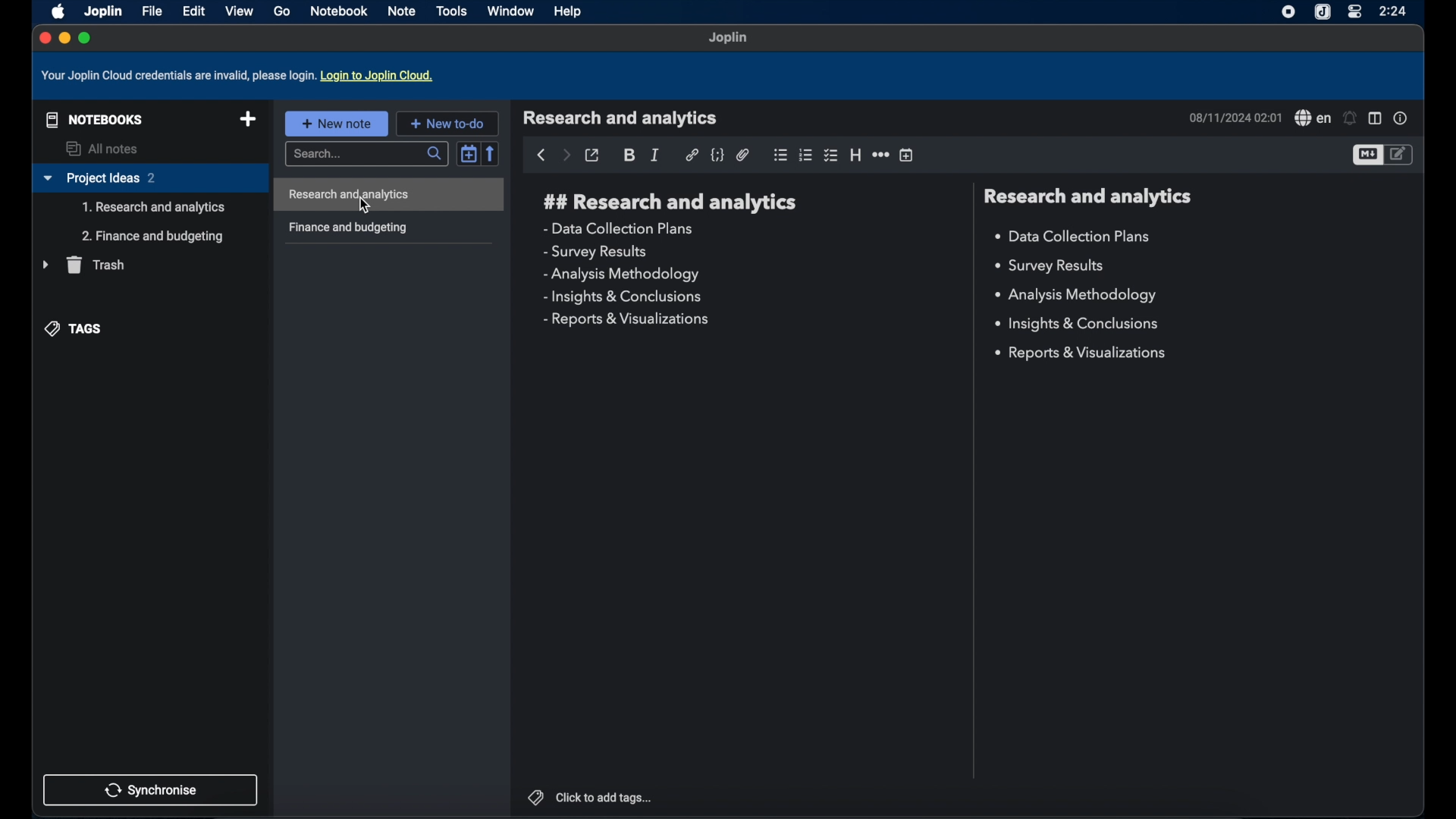 The height and width of the screenshot is (819, 1456). I want to click on joplin icon, so click(1323, 12).